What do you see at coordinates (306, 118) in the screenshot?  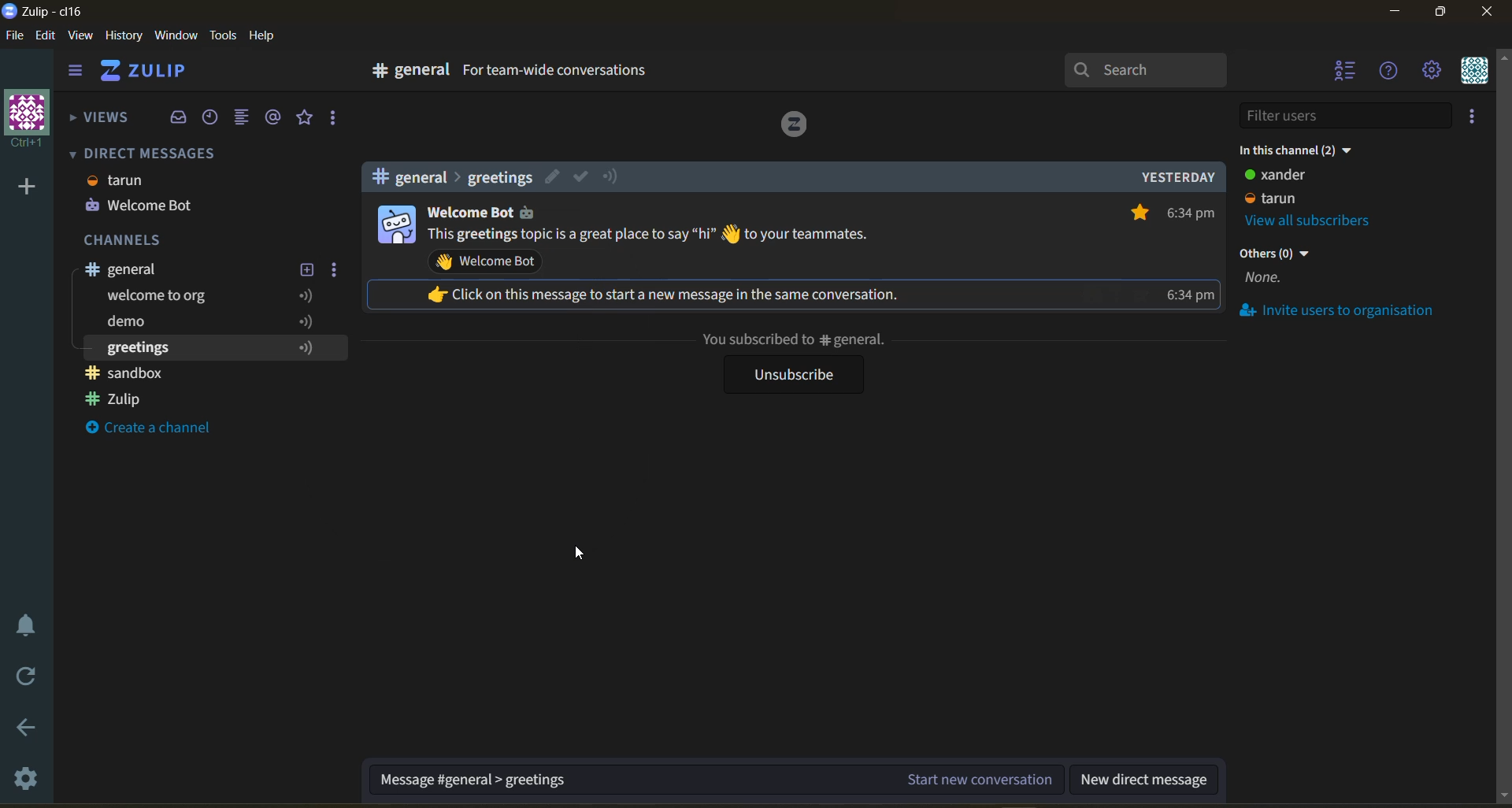 I see `starred messages` at bounding box center [306, 118].